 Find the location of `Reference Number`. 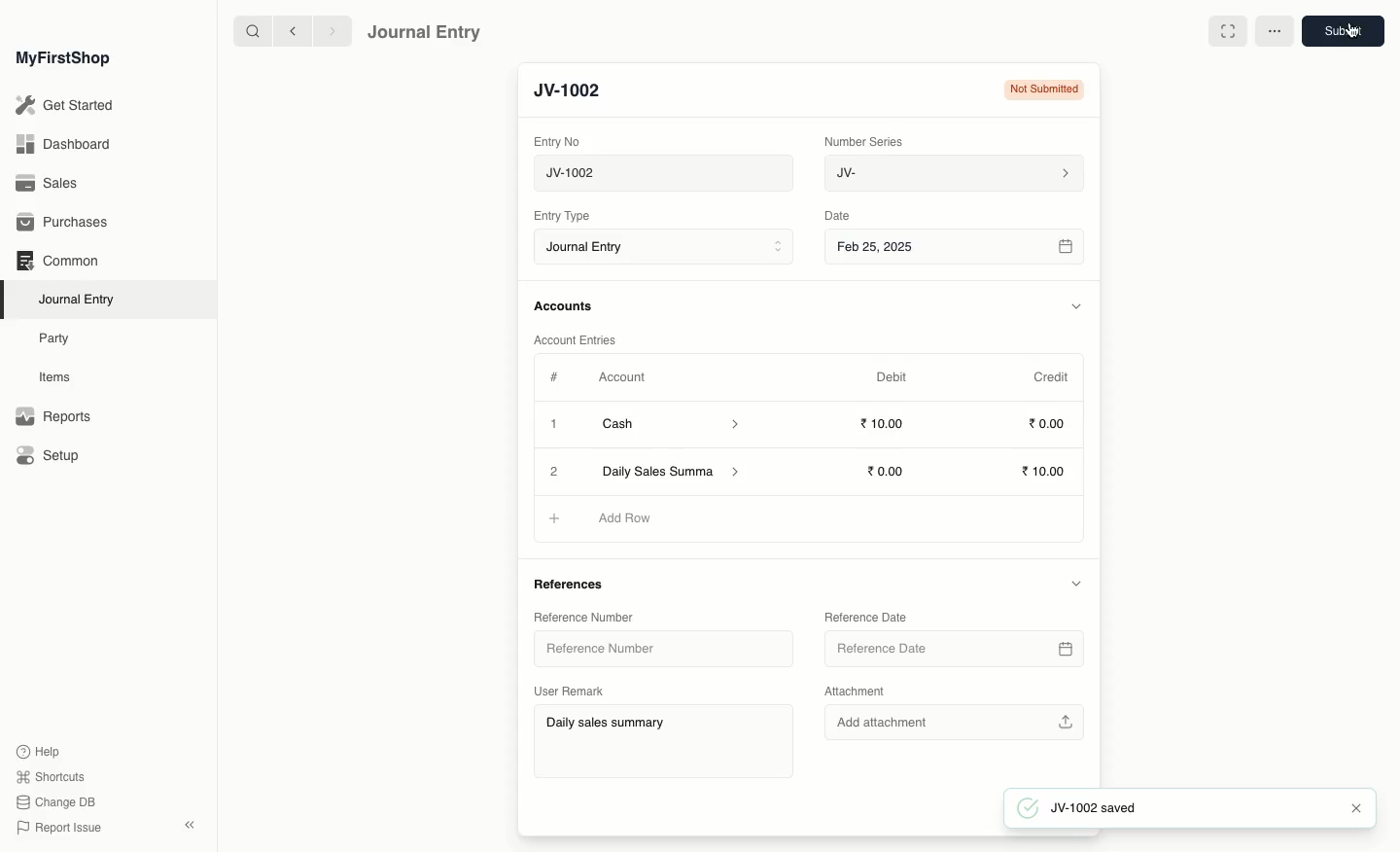

Reference Number is located at coordinates (608, 652).